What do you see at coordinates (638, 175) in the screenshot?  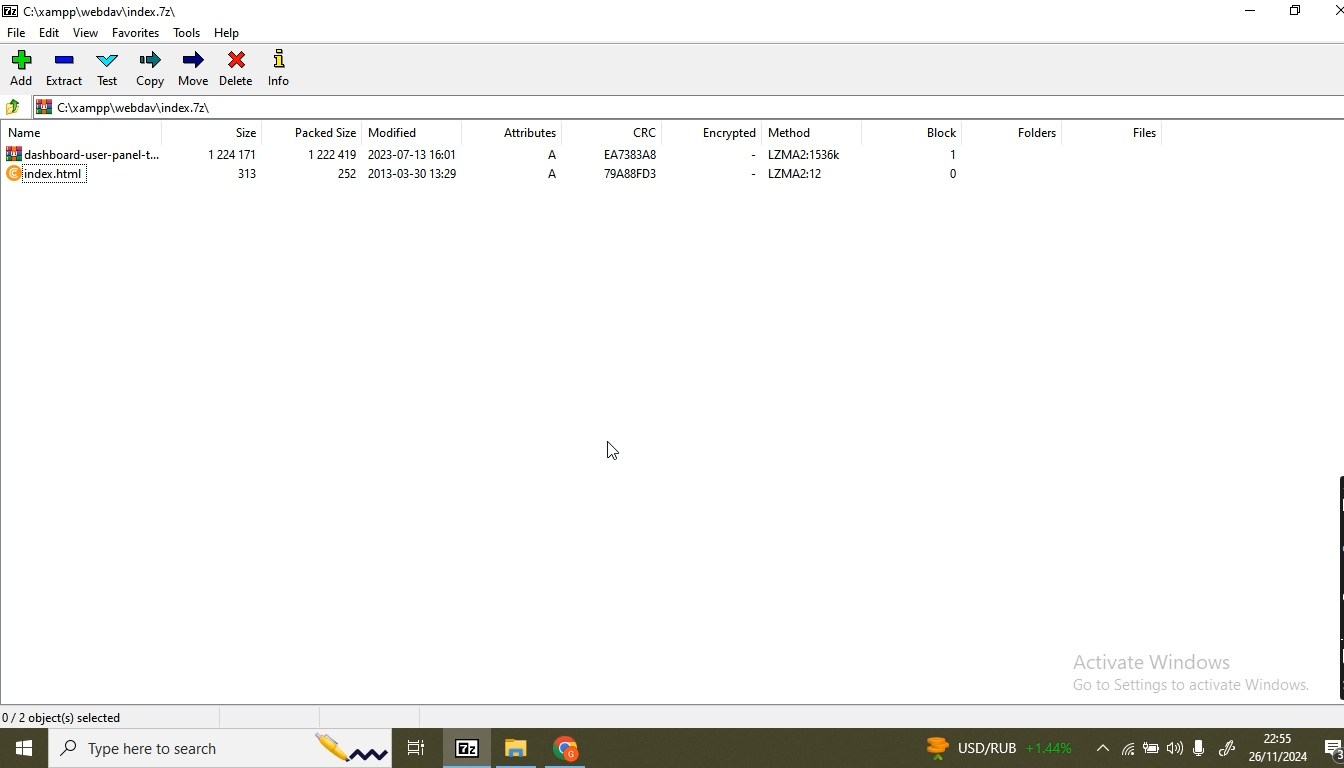 I see `79a88fd3` at bounding box center [638, 175].